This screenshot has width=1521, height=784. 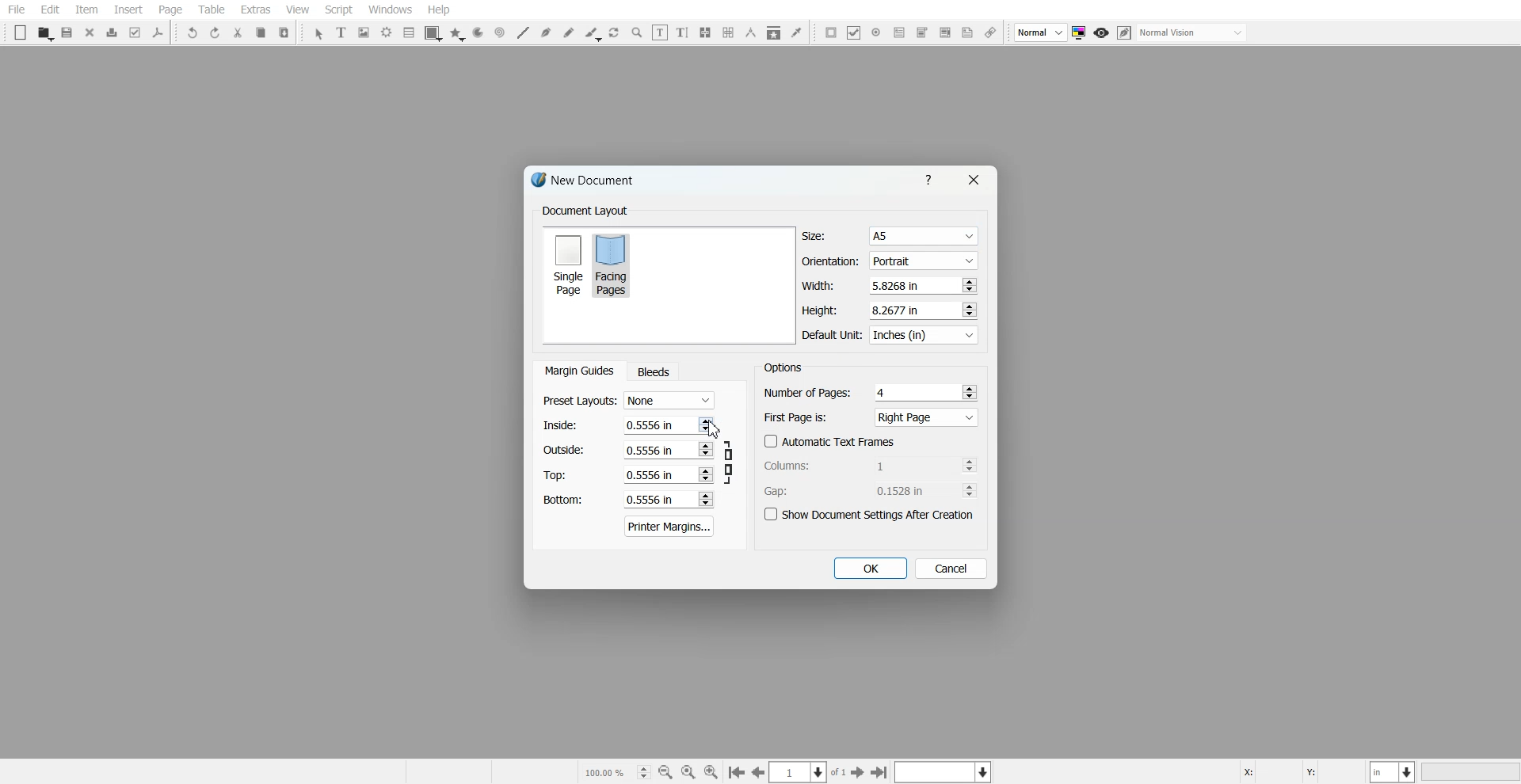 I want to click on Toggle color , so click(x=1081, y=33).